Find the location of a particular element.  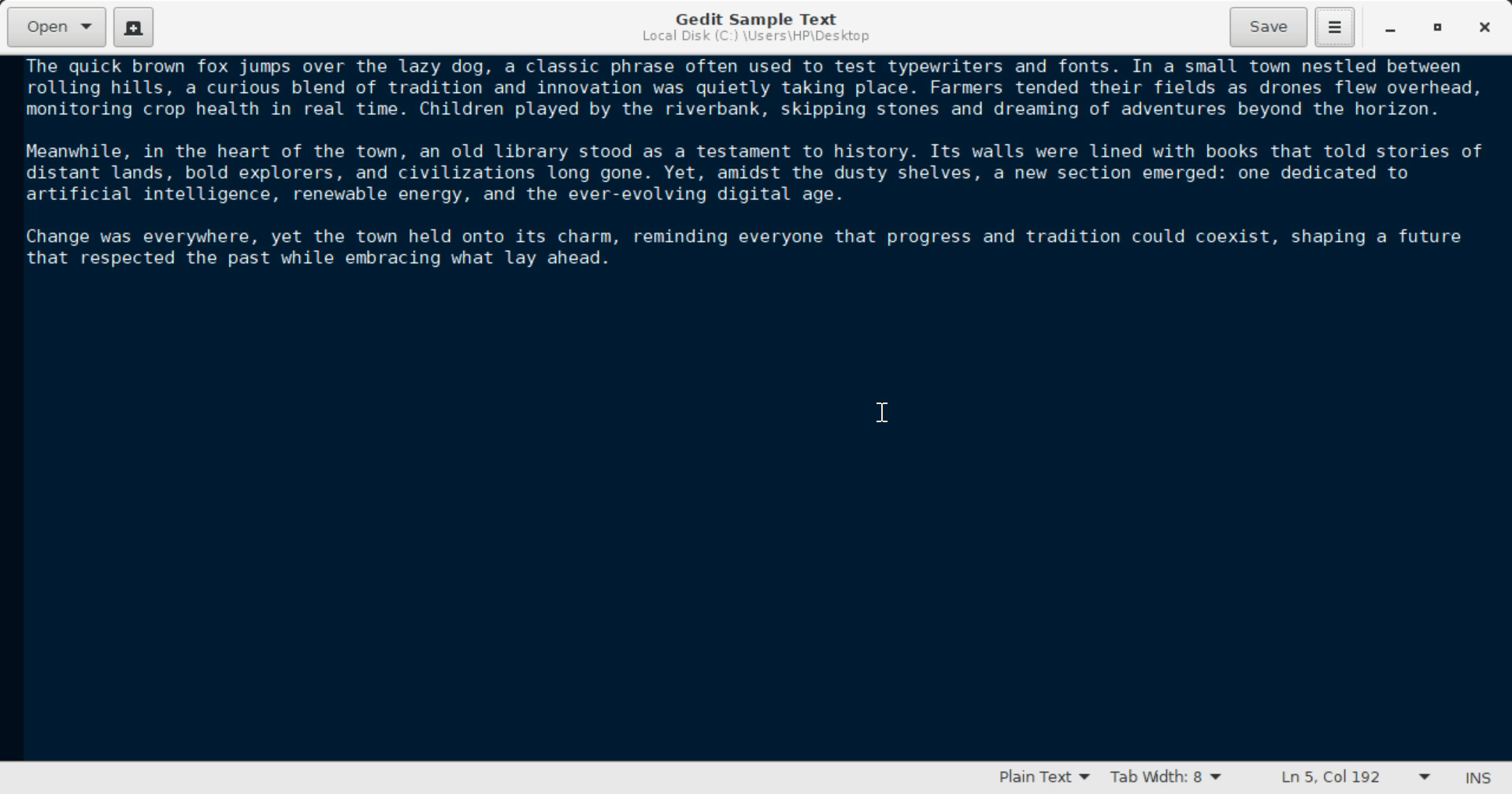

Text Language is located at coordinates (1043, 780).